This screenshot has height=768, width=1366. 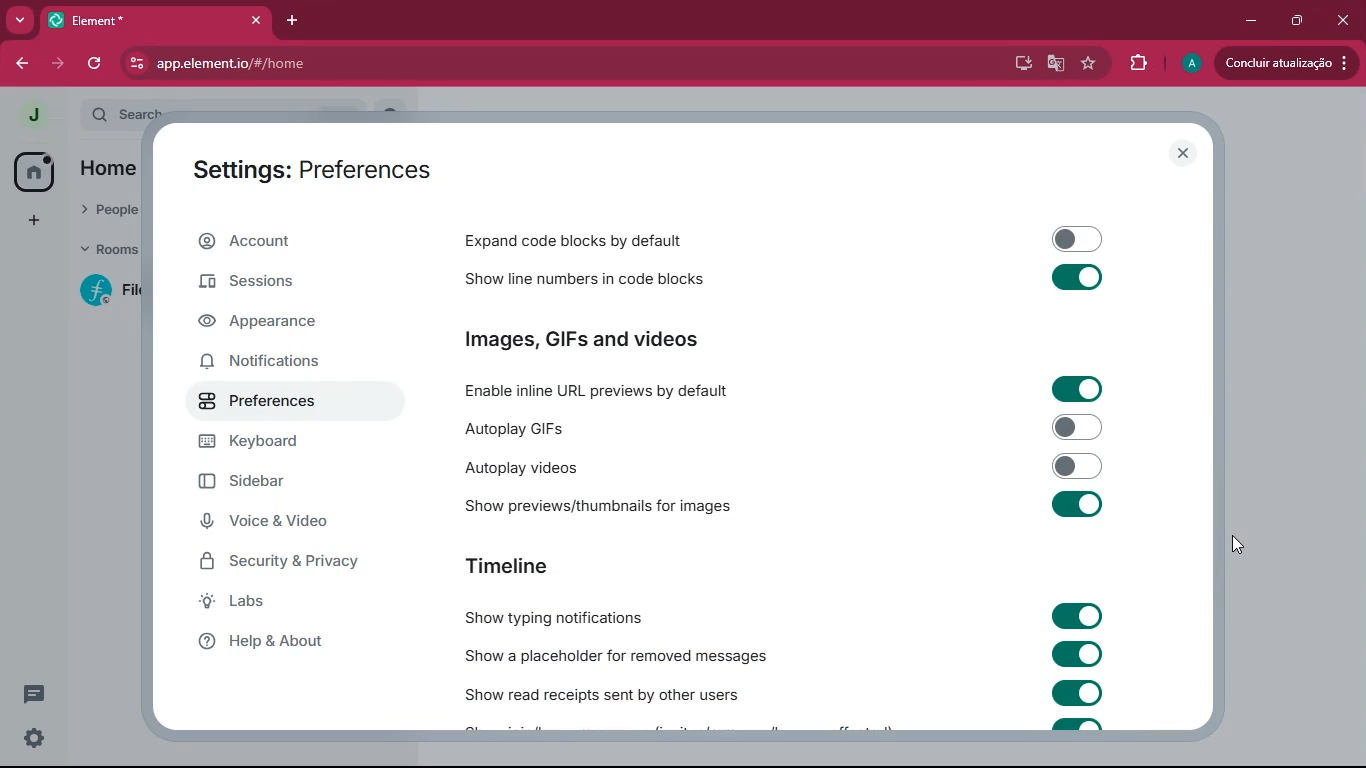 I want to click on settings: preferences, so click(x=313, y=174).